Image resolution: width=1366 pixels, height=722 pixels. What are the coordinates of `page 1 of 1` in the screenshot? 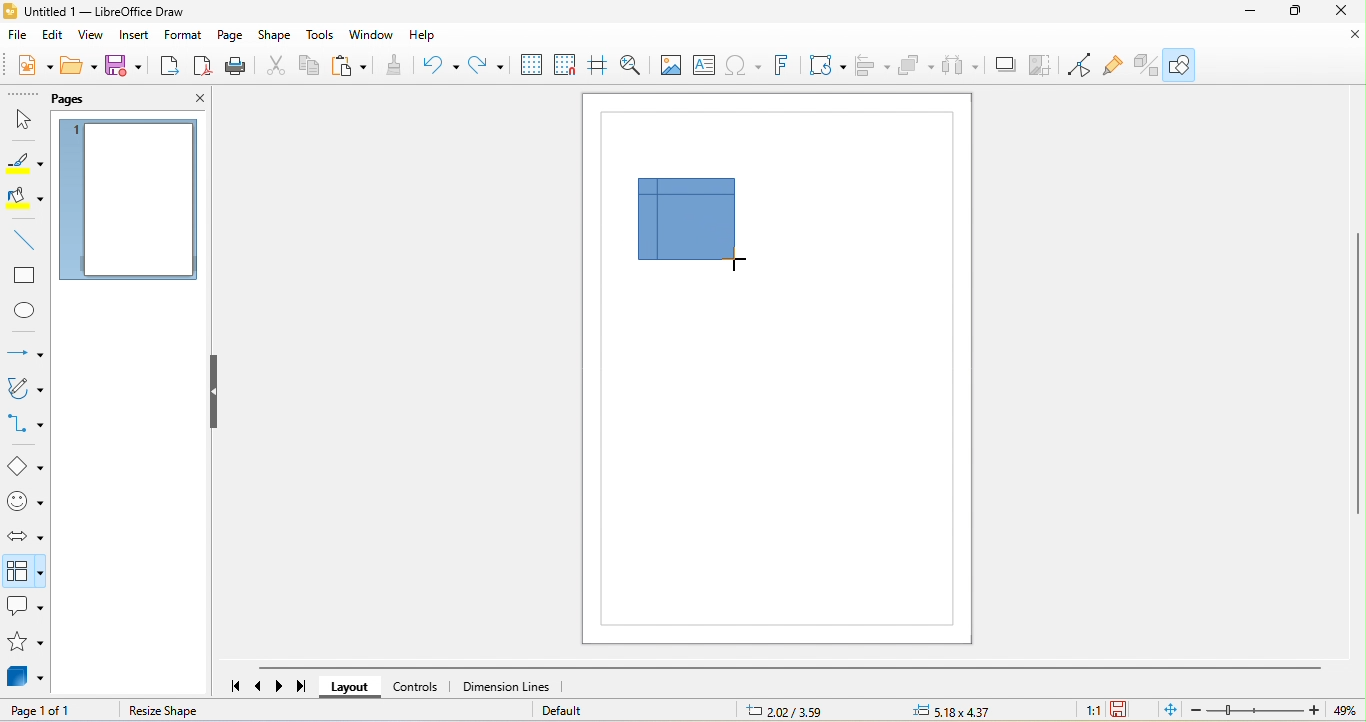 It's located at (52, 712).